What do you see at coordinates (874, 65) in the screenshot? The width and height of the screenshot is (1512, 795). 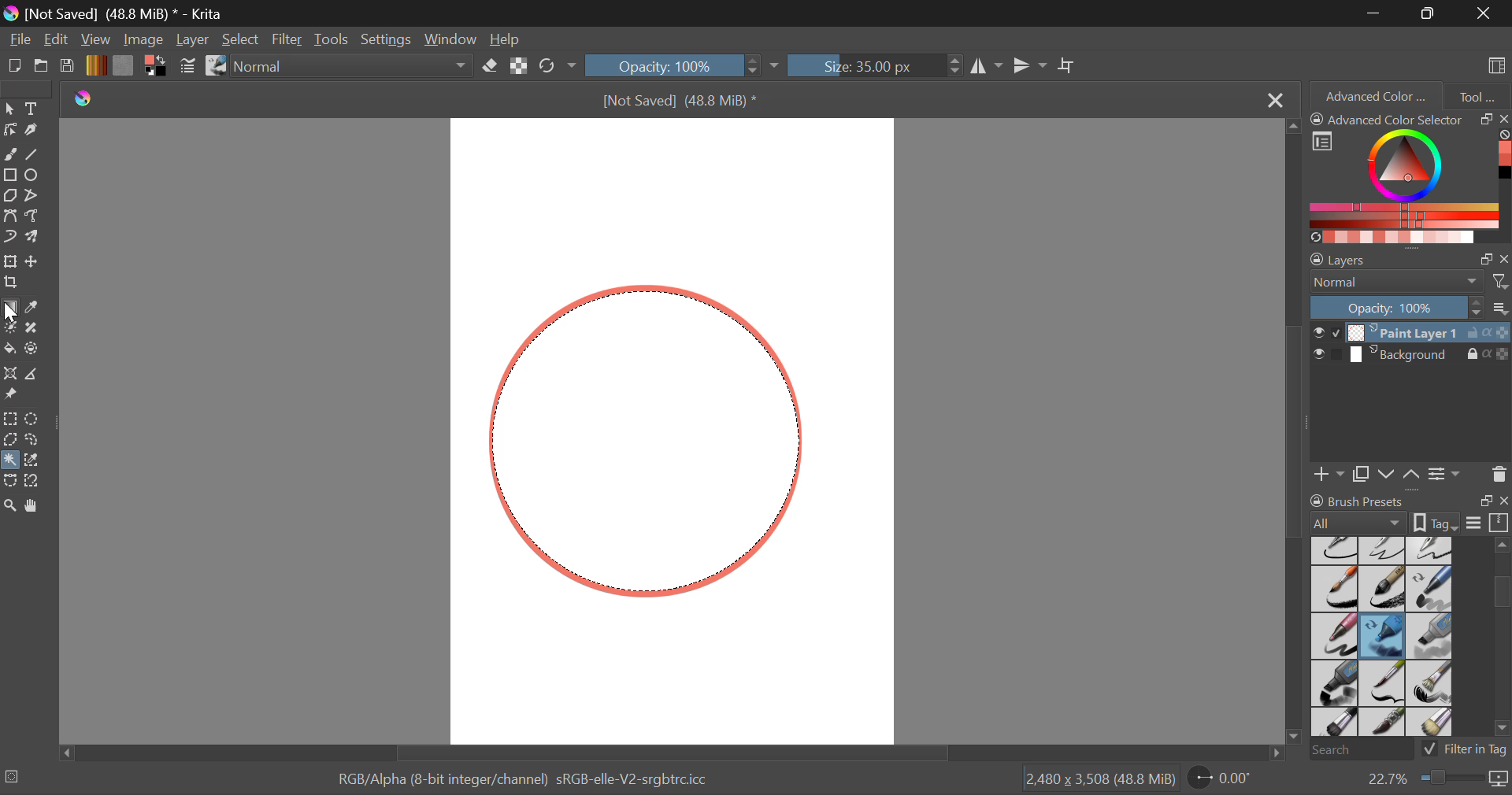 I see `Size : 35px` at bounding box center [874, 65].